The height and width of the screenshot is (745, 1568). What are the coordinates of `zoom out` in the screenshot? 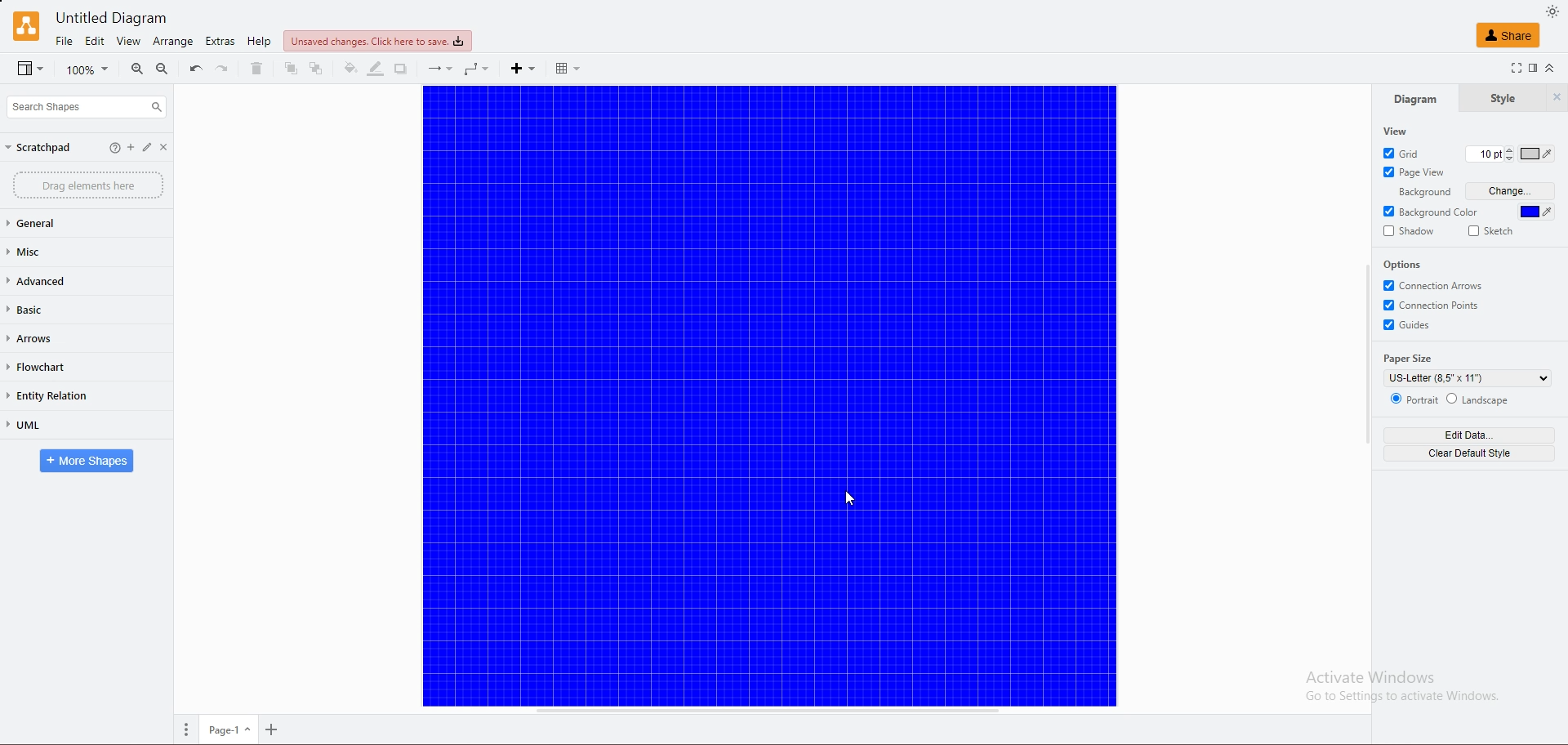 It's located at (163, 69).